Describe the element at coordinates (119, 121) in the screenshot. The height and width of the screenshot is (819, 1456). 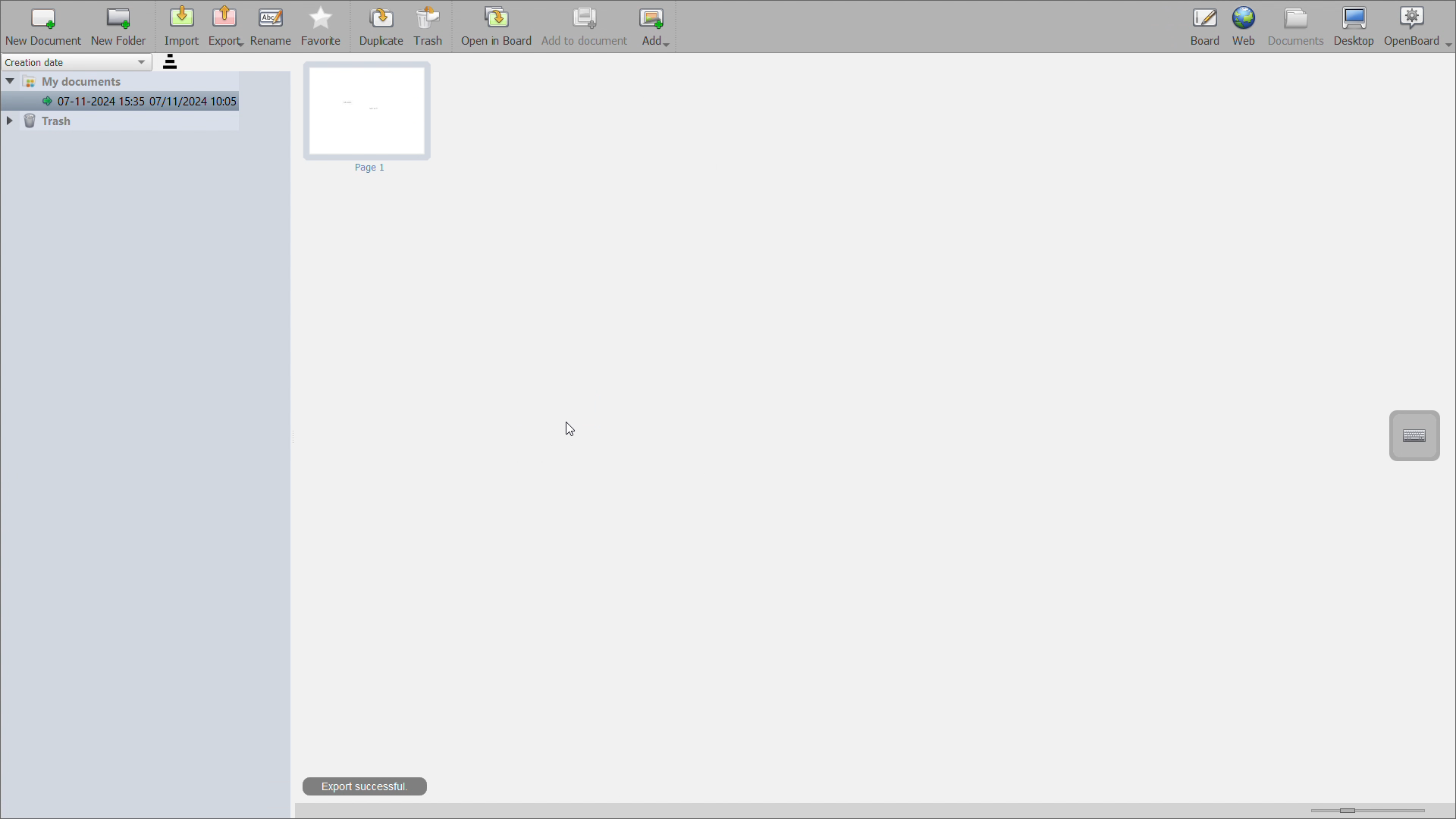
I see `trash` at that location.